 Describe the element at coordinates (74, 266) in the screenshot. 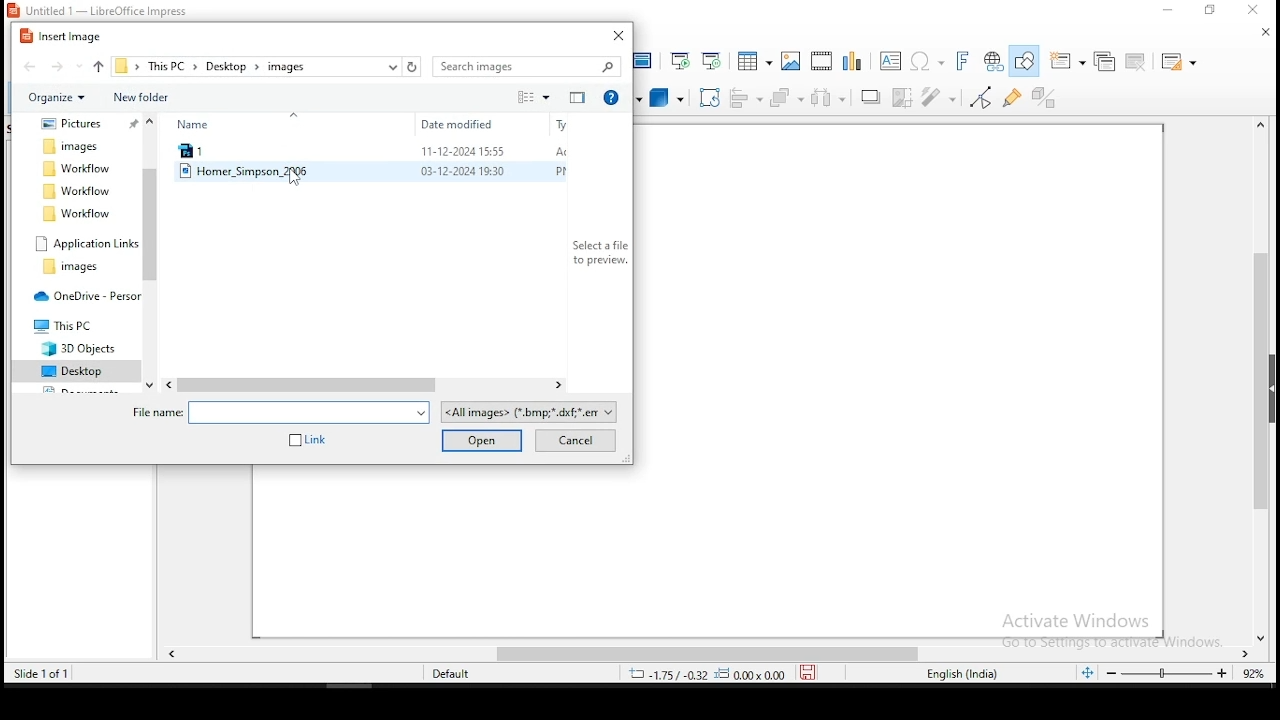

I see `system folder` at that location.